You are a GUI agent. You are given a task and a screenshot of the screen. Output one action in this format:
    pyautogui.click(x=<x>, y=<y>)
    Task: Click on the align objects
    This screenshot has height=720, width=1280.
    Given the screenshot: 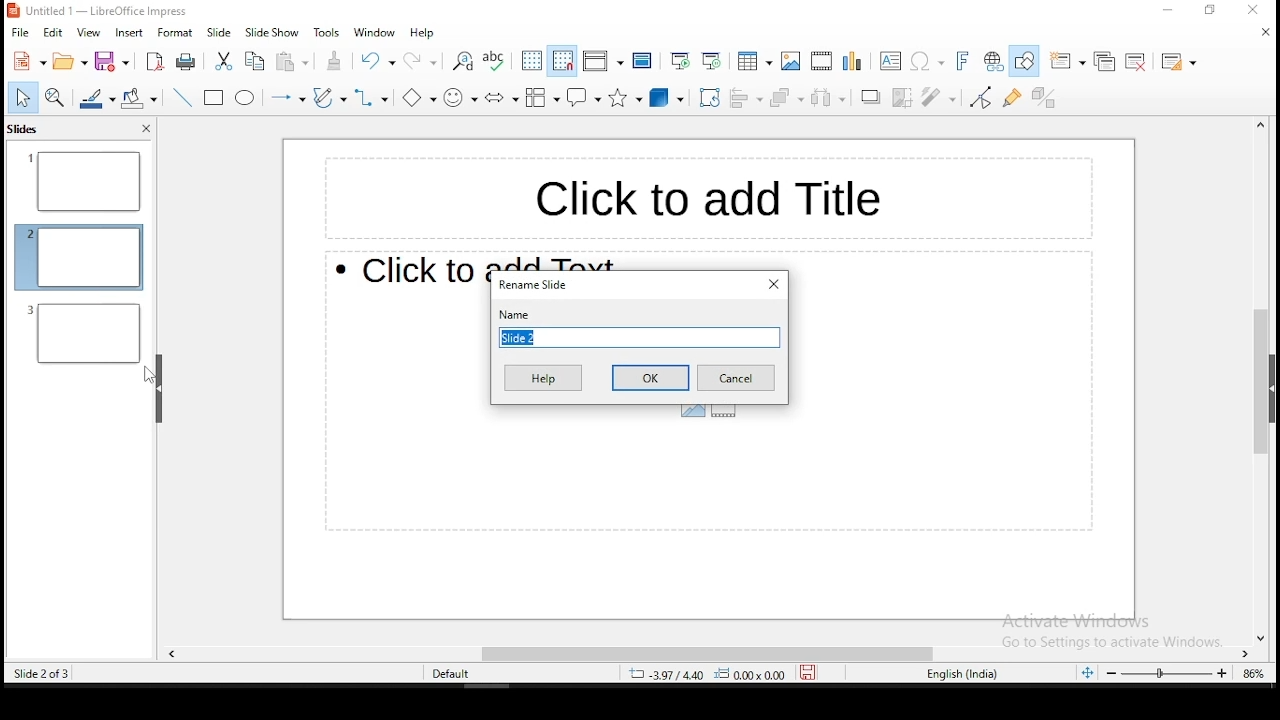 What is the action you would take?
    pyautogui.click(x=748, y=97)
    